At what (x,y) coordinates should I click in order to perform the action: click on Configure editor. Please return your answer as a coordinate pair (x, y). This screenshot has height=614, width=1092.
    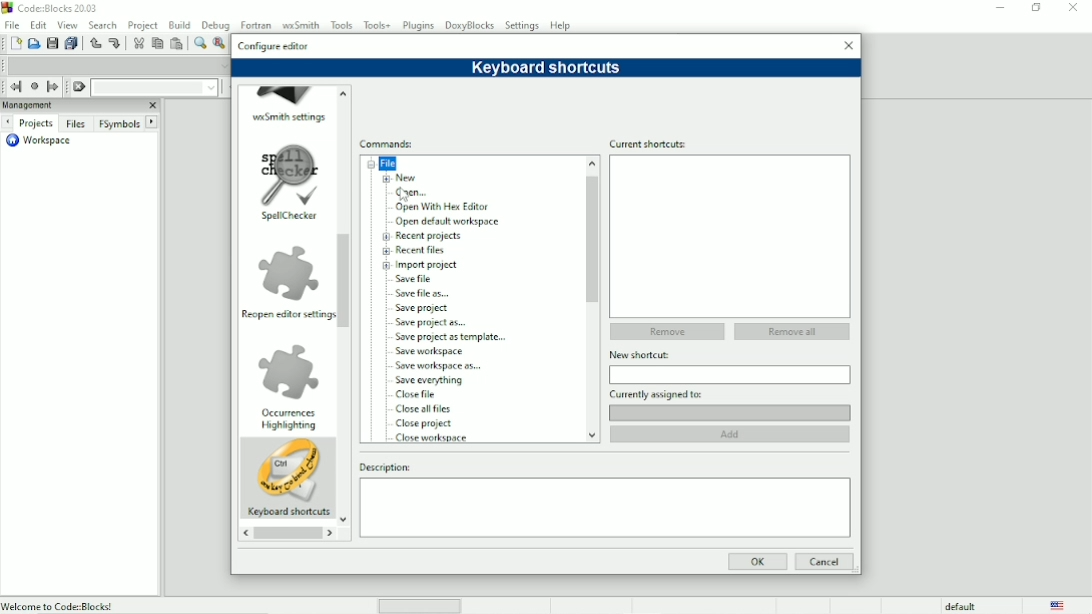
    Looking at the image, I should click on (274, 44).